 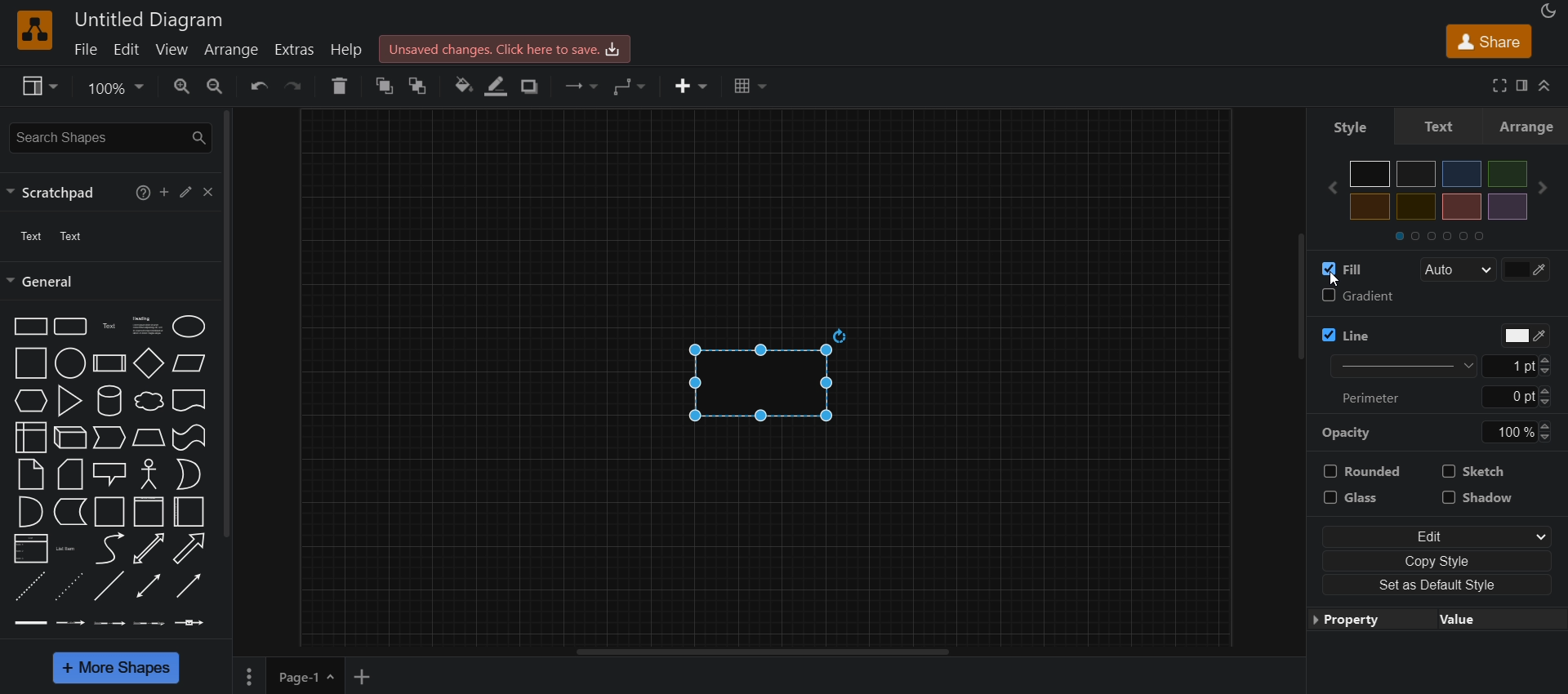 I want to click on next, so click(x=1543, y=188).